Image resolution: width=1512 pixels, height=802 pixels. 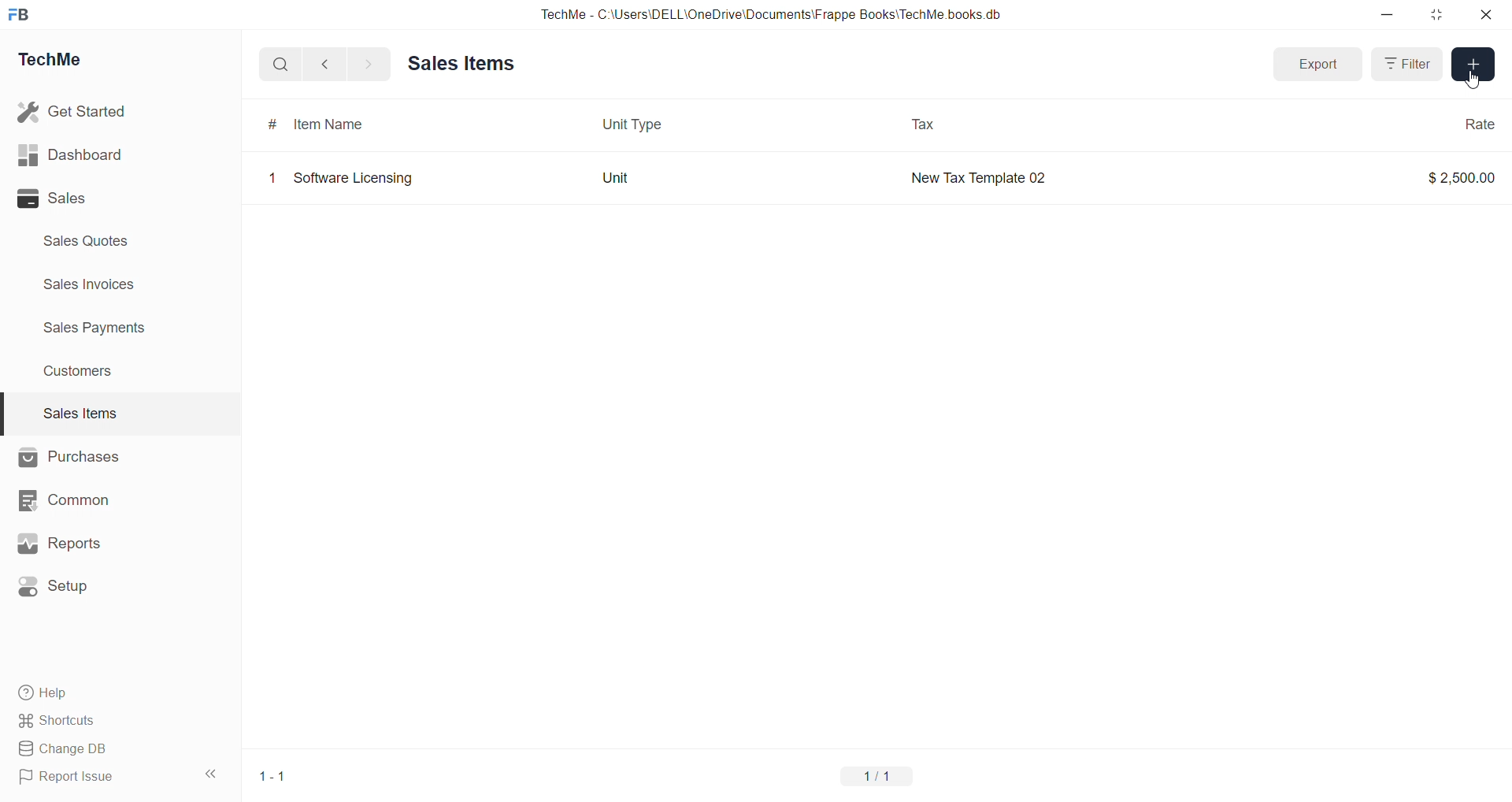 I want to click on Rate, so click(x=1478, y=124).